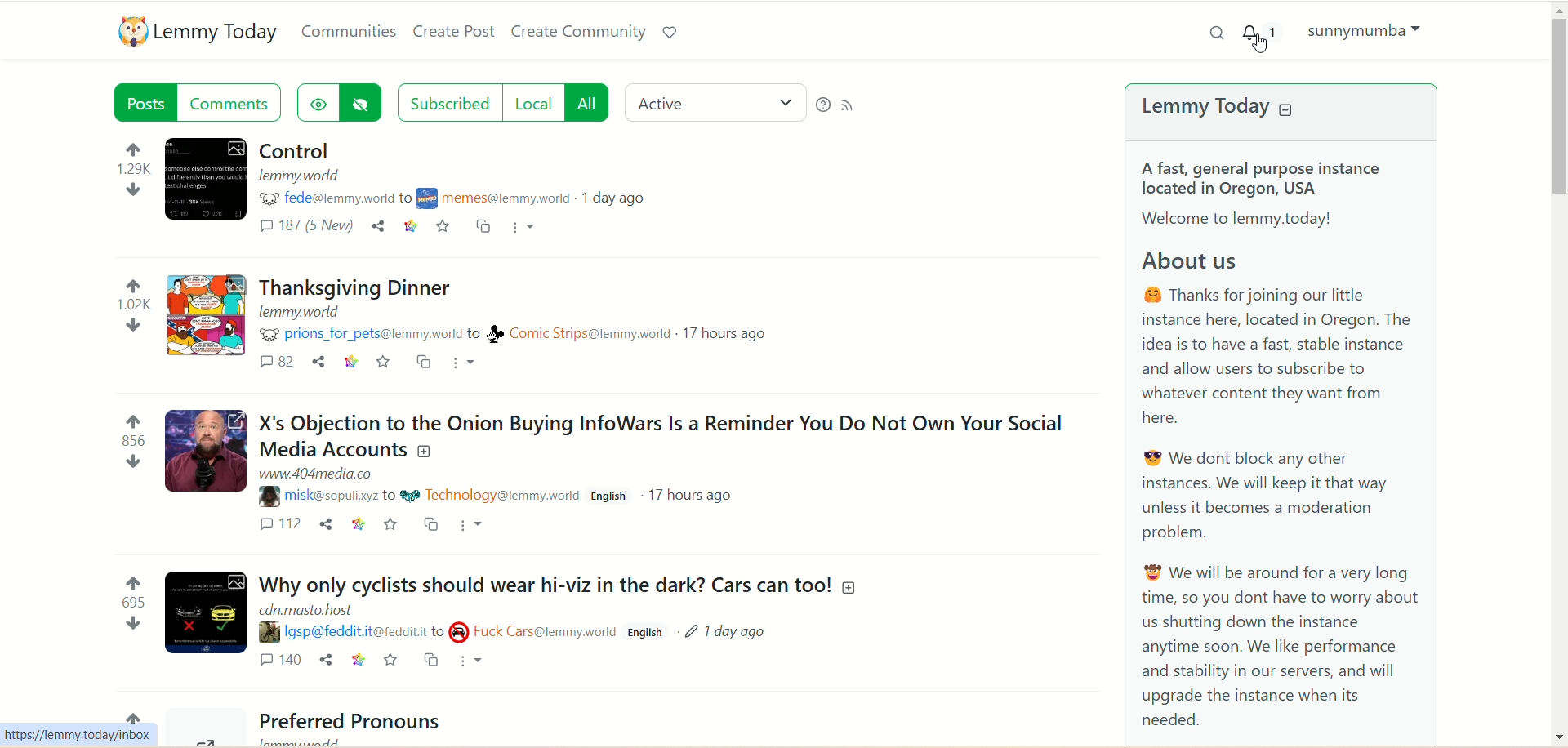  Describe the element at coordinates (323, 525) in the screenshot. I see `share` at that location.